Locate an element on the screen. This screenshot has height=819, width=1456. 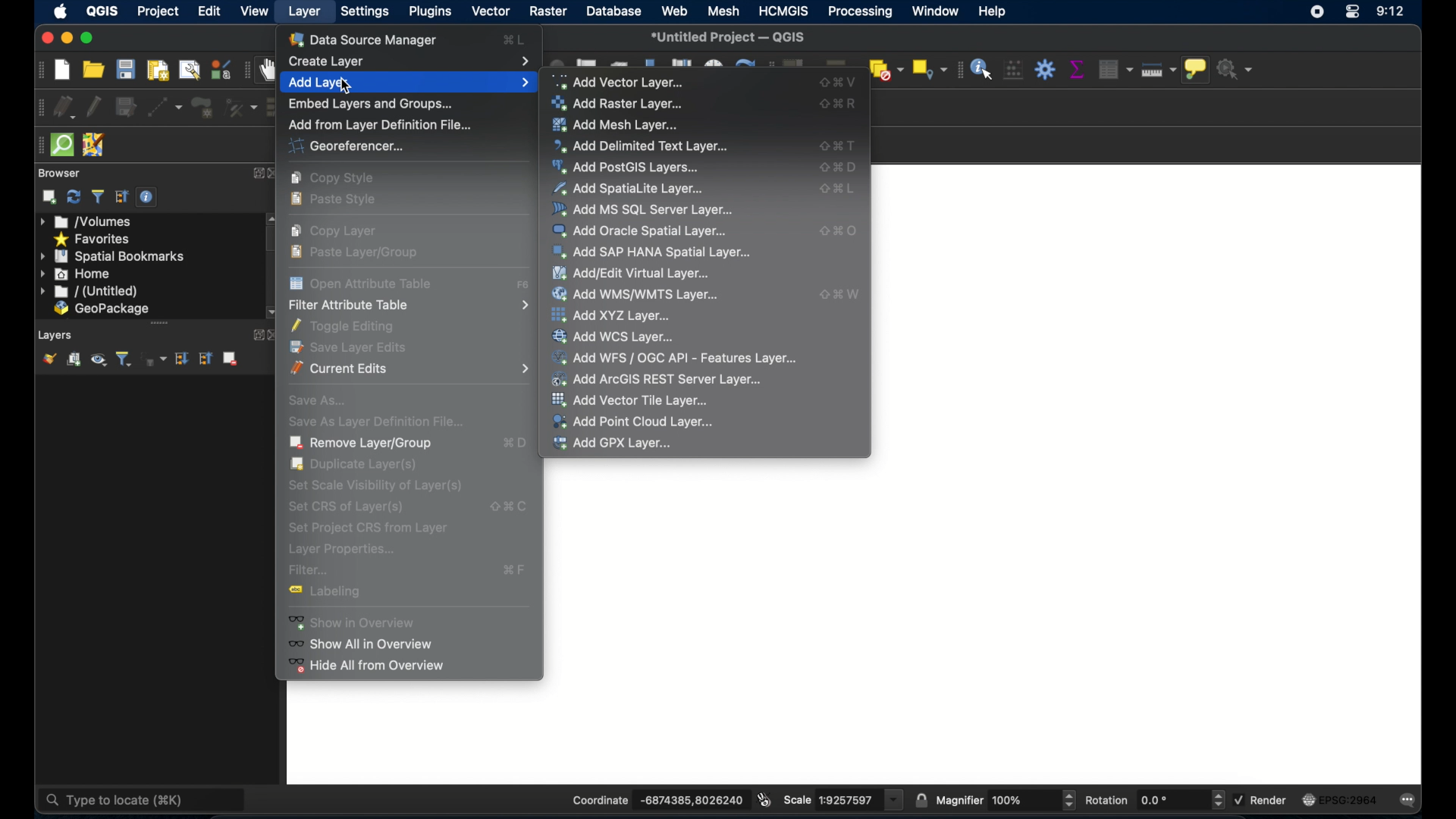
Layers is located at coordinates (52, 335).